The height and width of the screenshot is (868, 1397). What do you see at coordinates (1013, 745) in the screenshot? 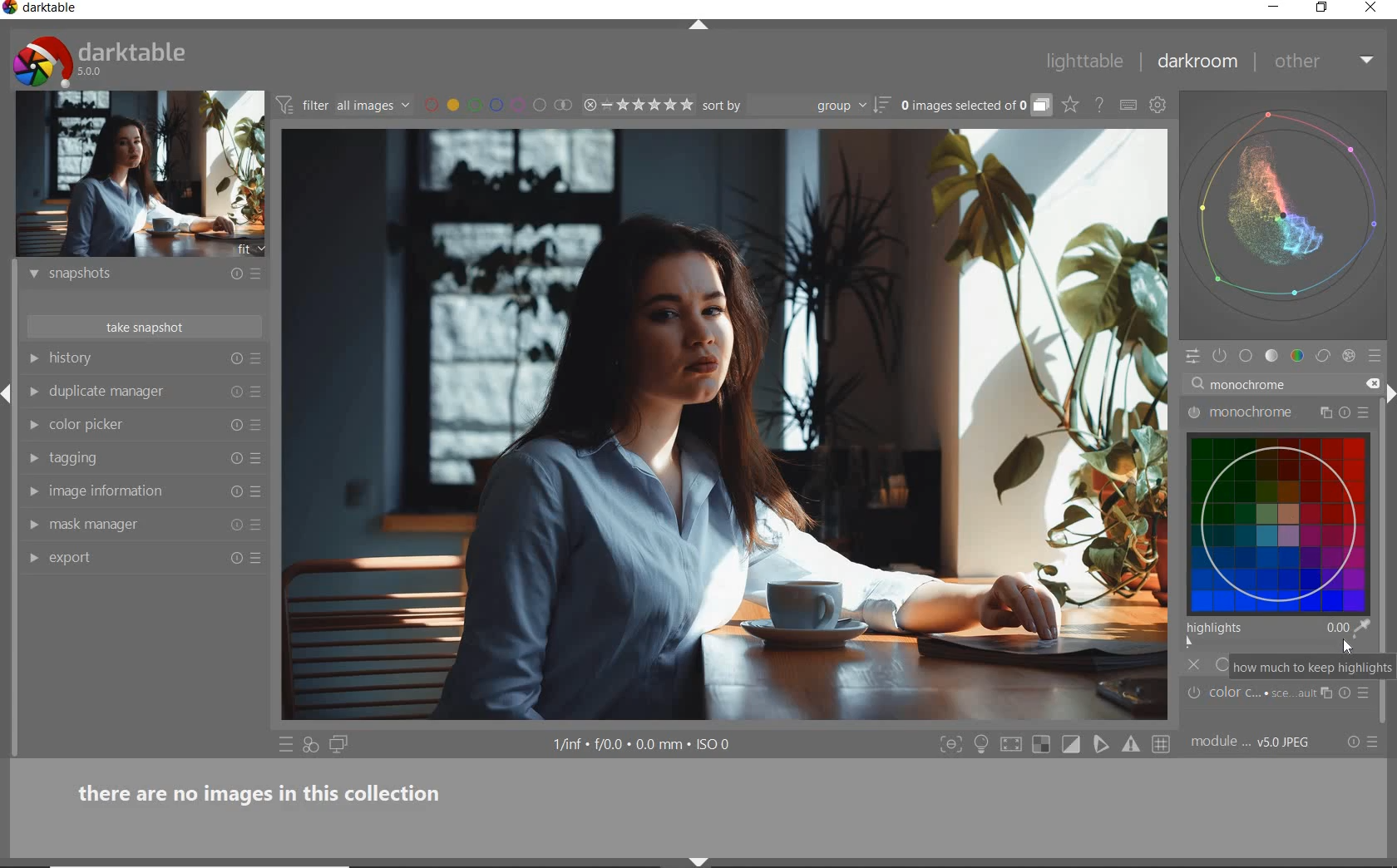
I see `toggle high quality processing` at bounding box center [1013, 745].